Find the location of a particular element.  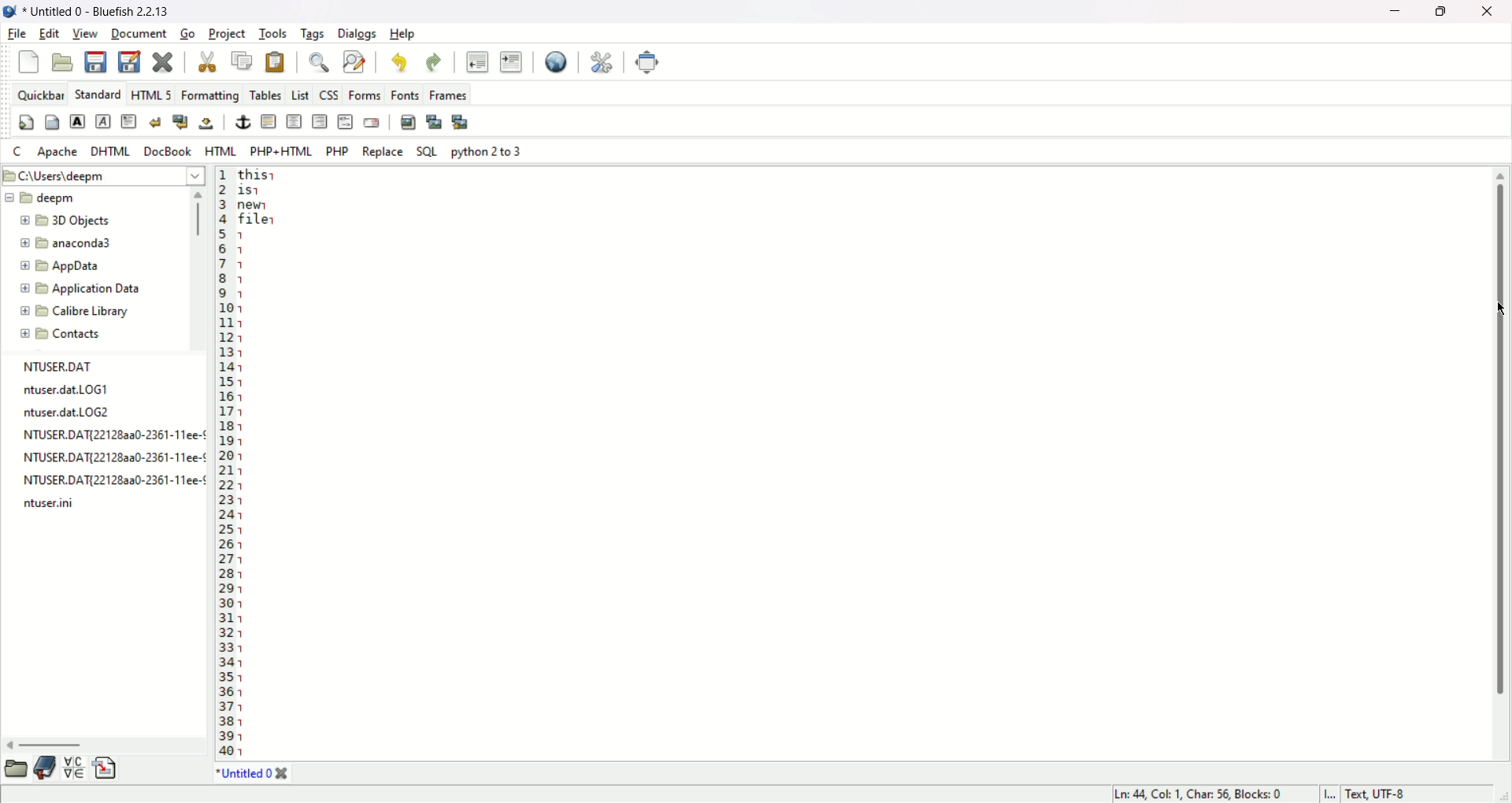

go is located at coordinates (187, 35).